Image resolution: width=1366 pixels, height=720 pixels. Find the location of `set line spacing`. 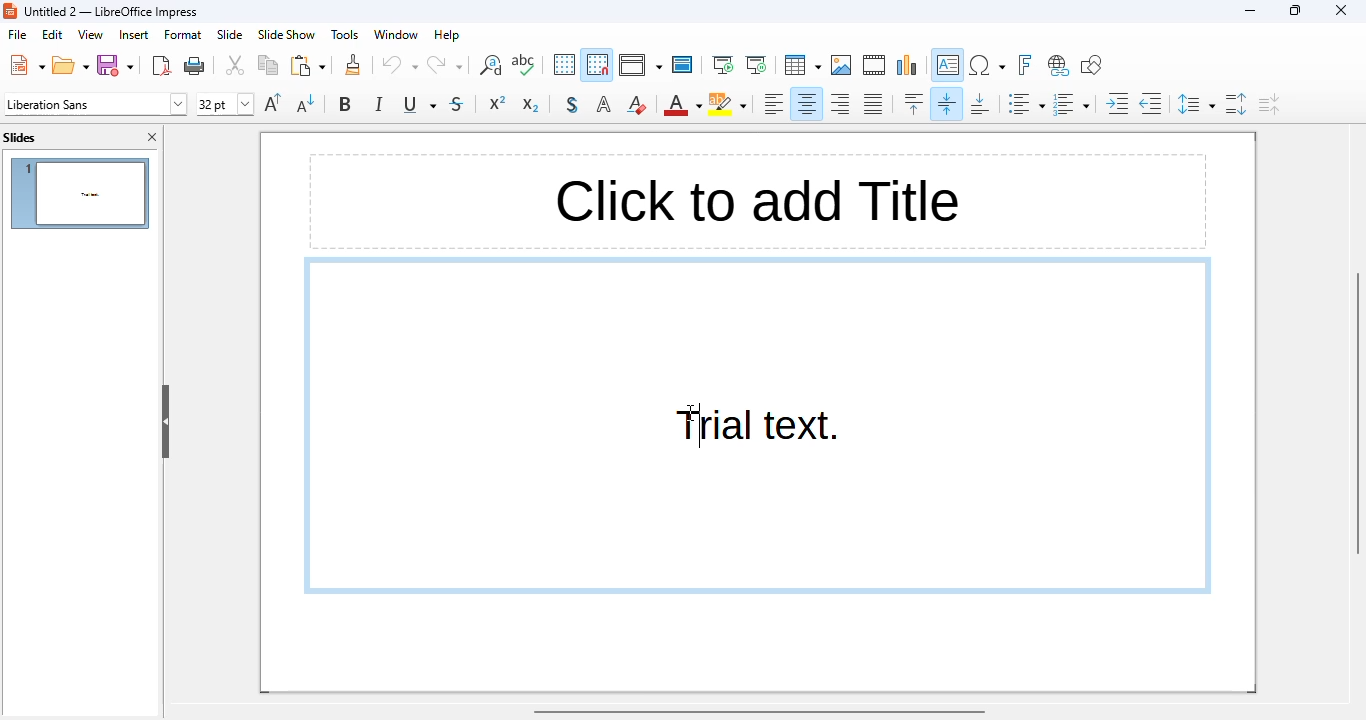

set line spacing is located at coordinates (1196, 104).